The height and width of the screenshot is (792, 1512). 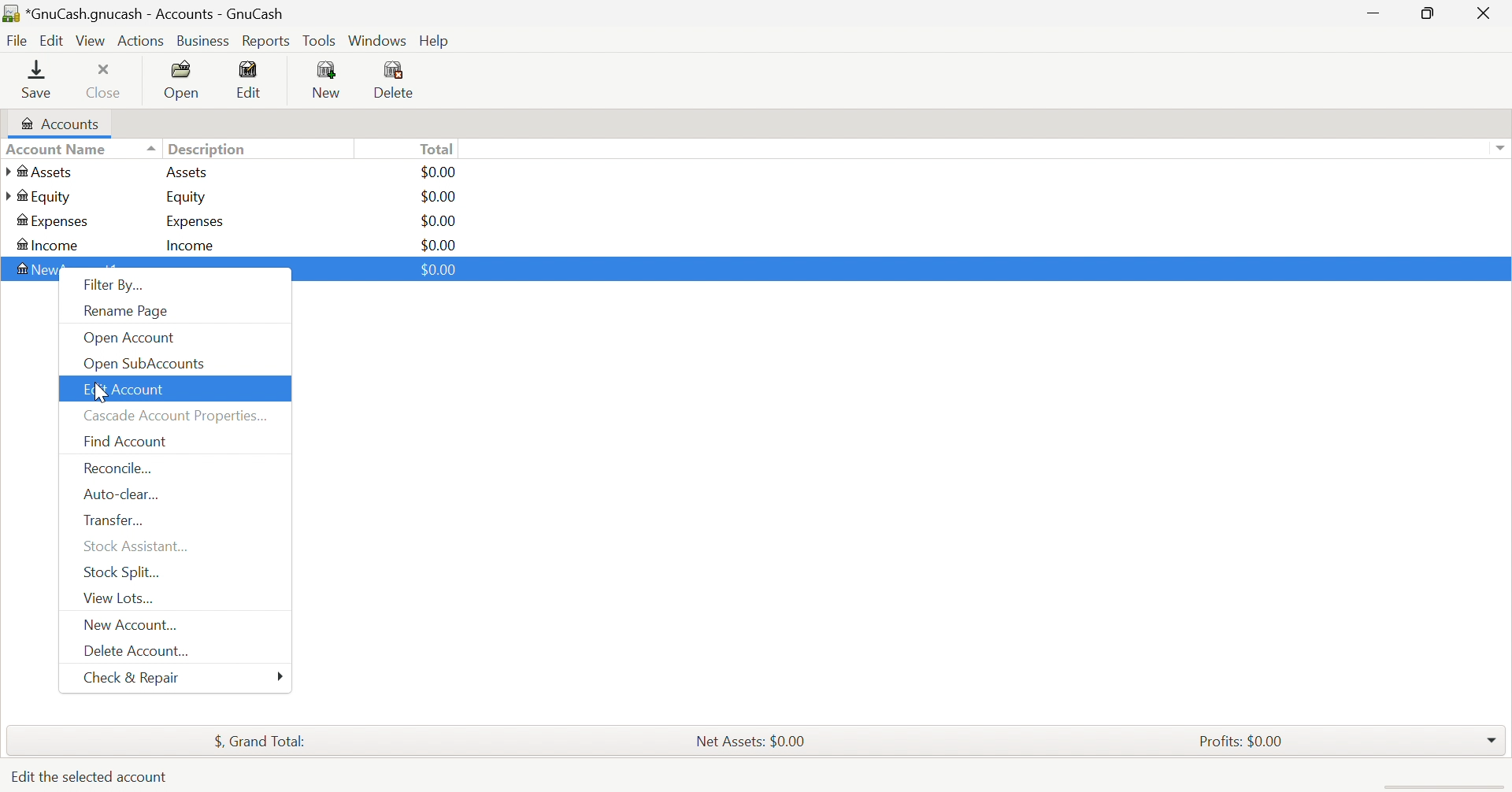 What do you see at coordinates (128, 336) in the screenshot?
I see `Open Account` at bounding box center [128, 336].